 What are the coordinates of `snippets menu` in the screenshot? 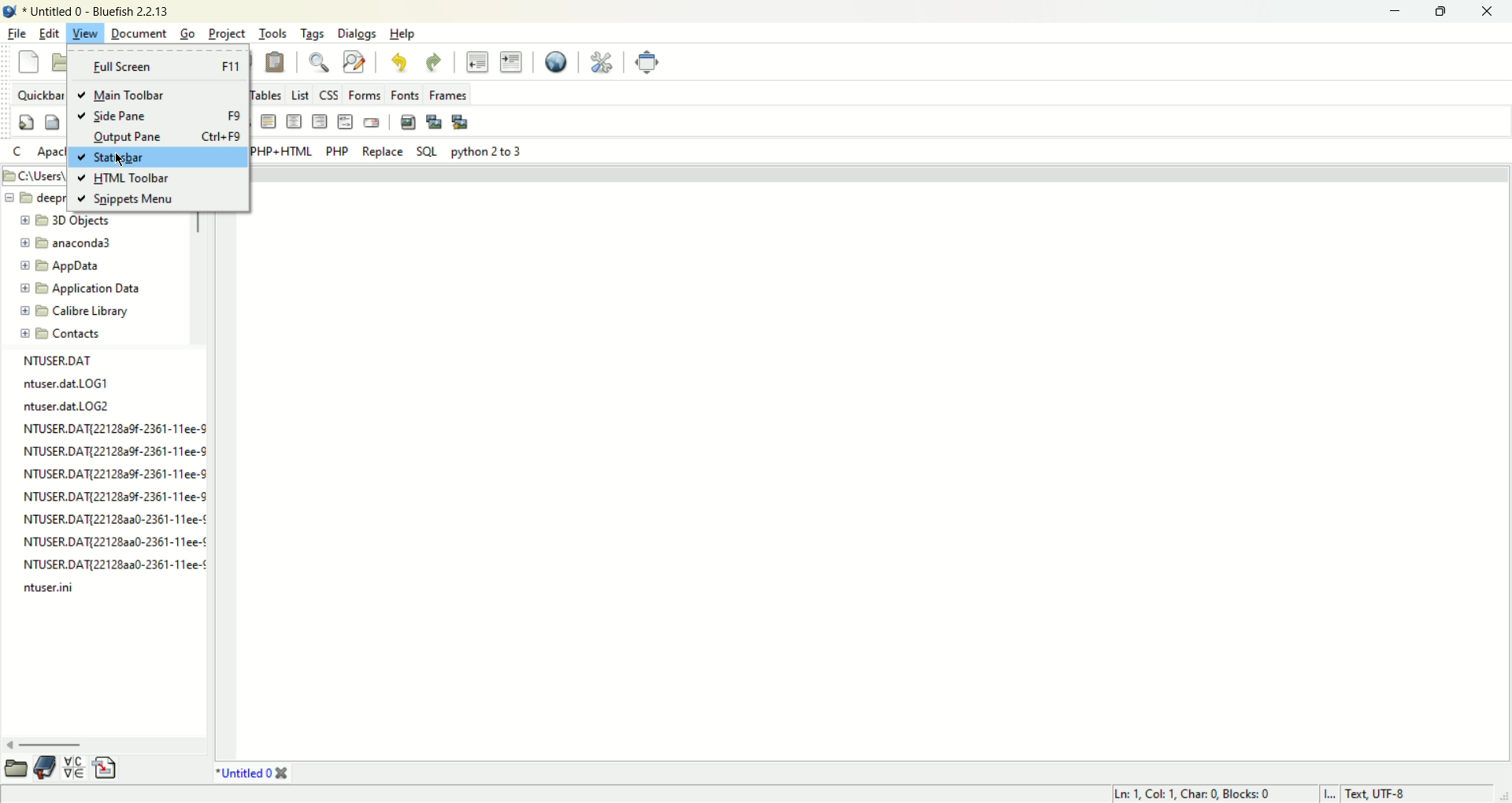 It's located at (143, 199).